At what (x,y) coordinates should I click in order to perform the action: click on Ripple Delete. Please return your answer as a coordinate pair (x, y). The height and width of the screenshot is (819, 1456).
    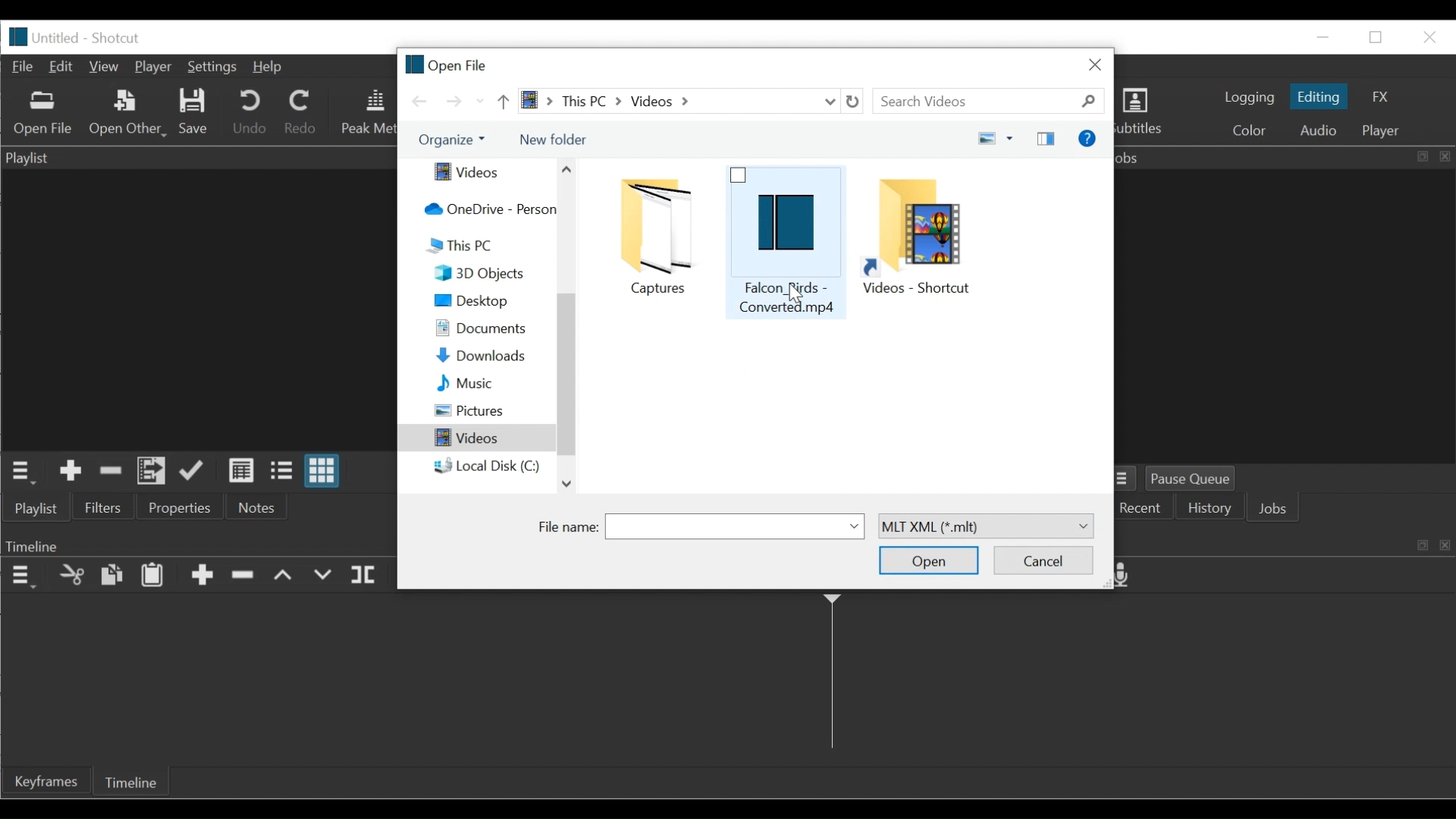
    Looking at the image, I should click on (245, 579).